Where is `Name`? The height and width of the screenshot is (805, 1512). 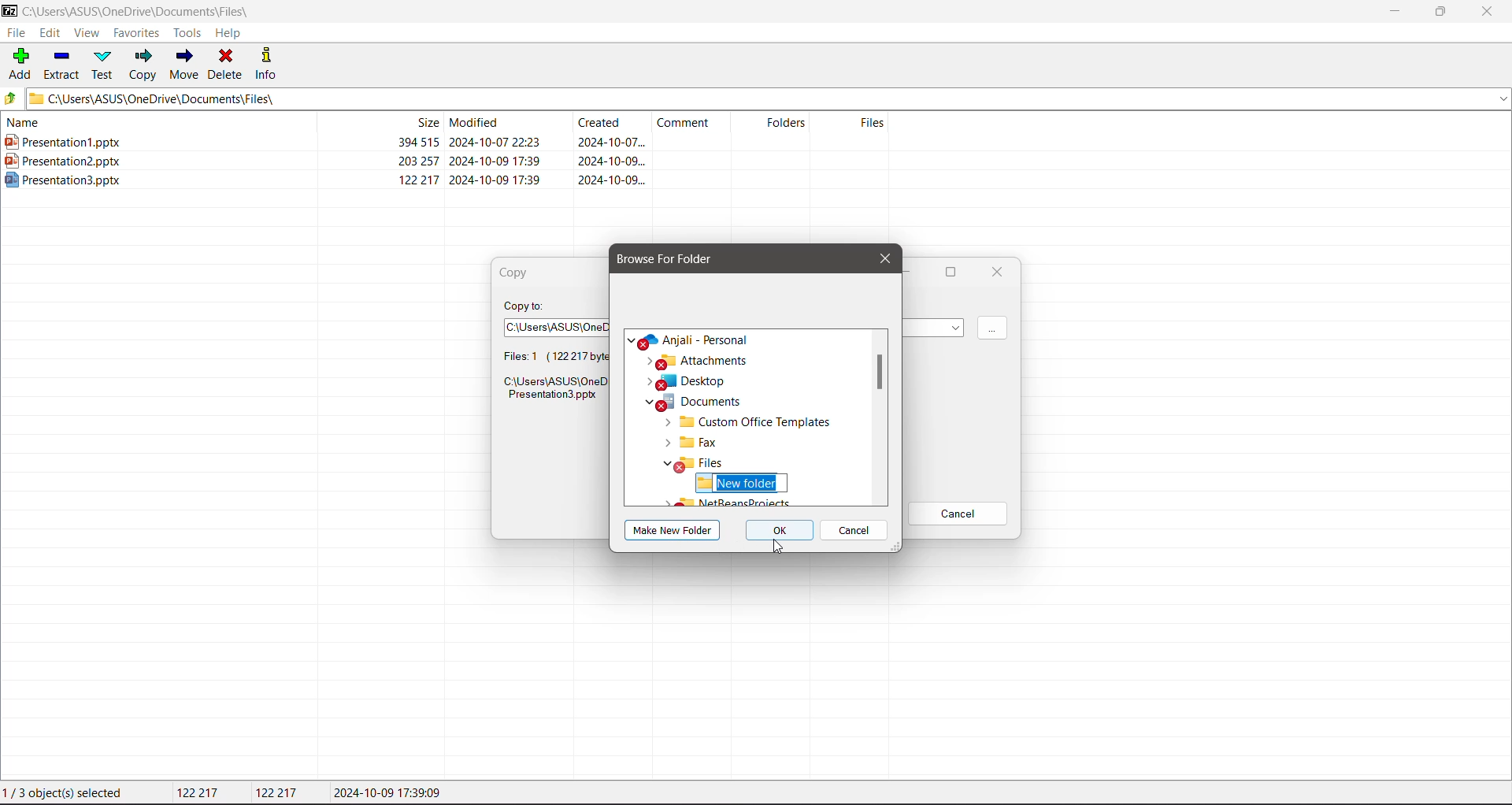 Name is located at coordinates (150, 122).